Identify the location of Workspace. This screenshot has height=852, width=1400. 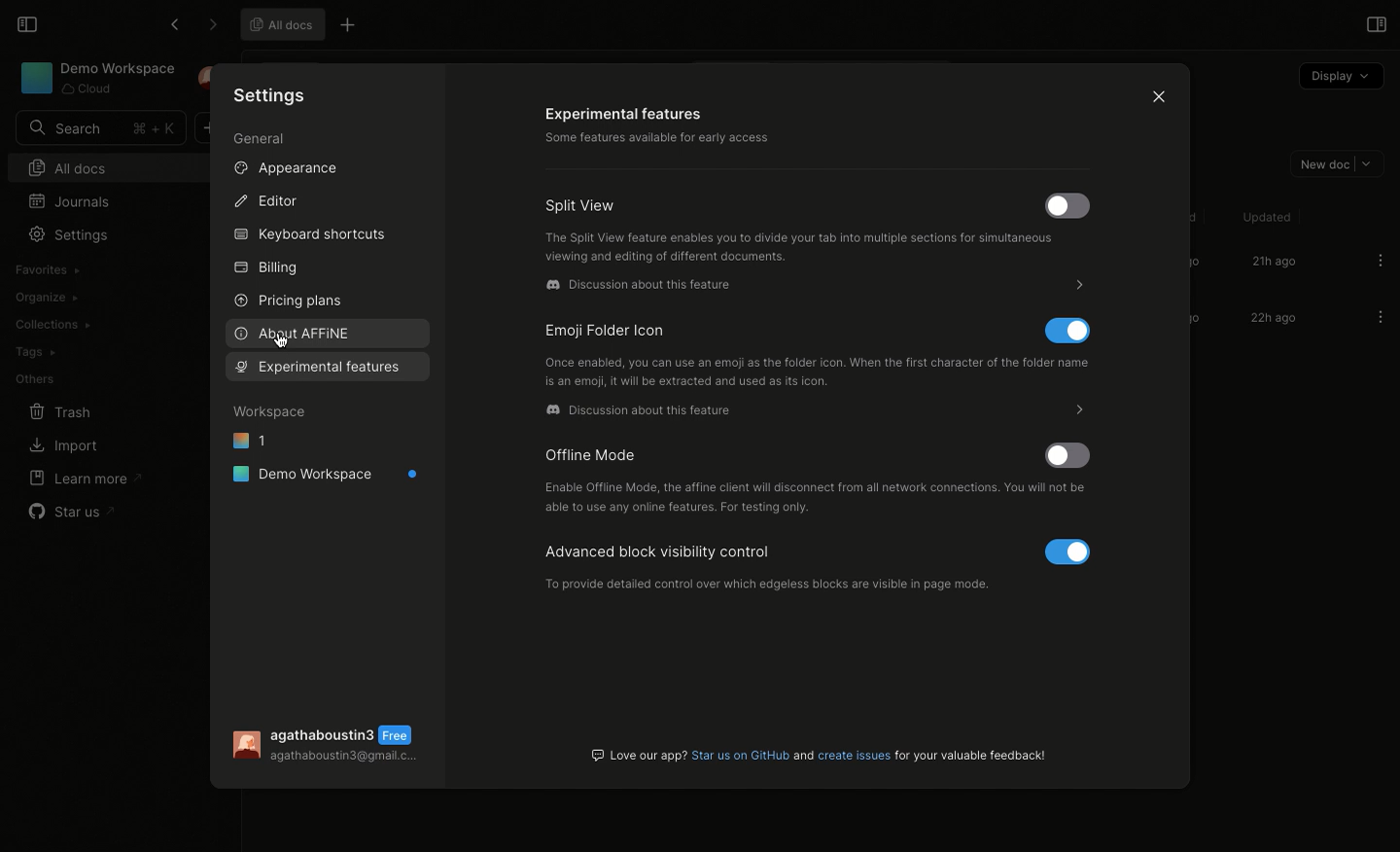
(271, 410).